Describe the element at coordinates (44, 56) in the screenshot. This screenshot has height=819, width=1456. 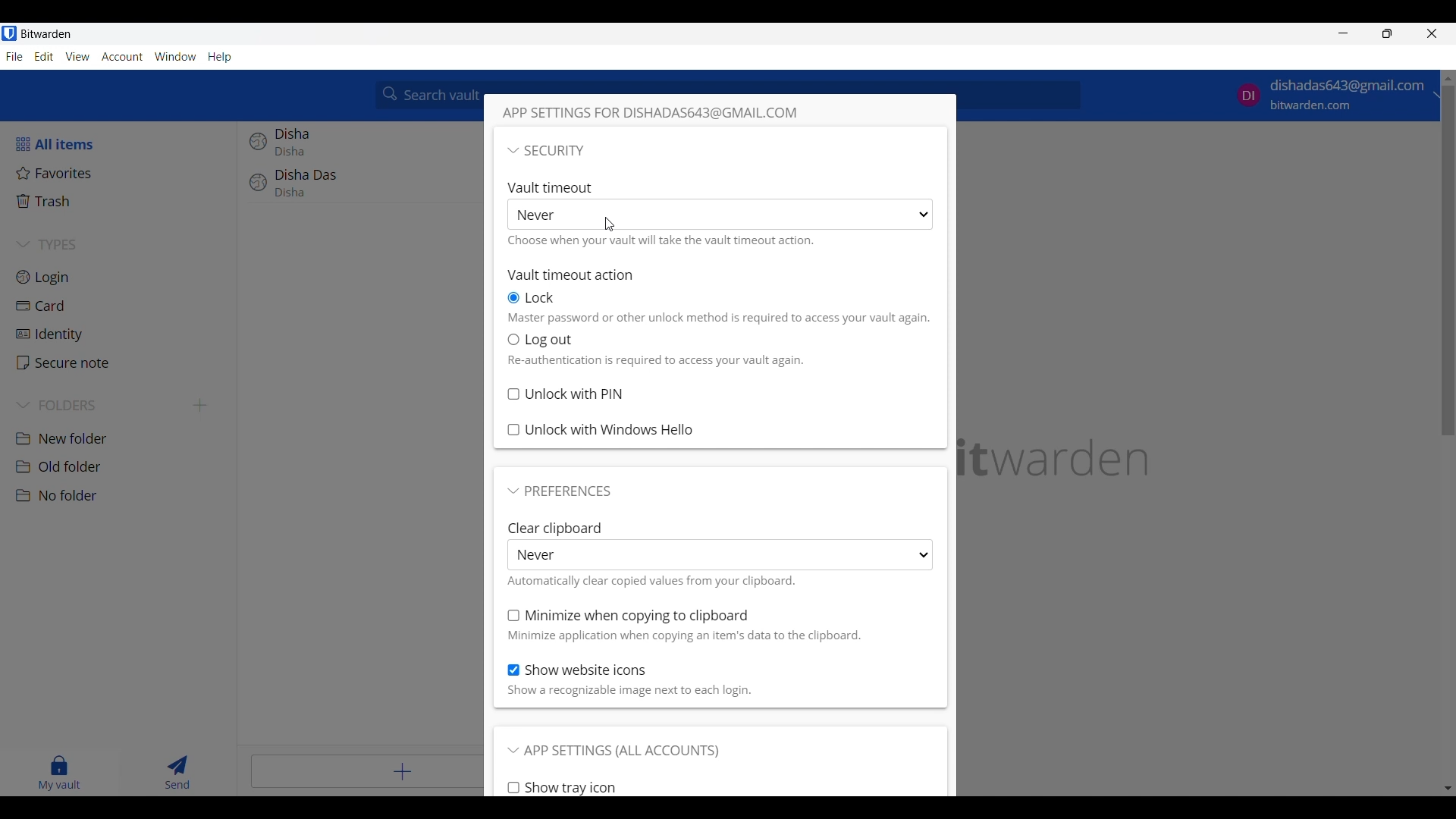
I see `Edit menu` at that location.